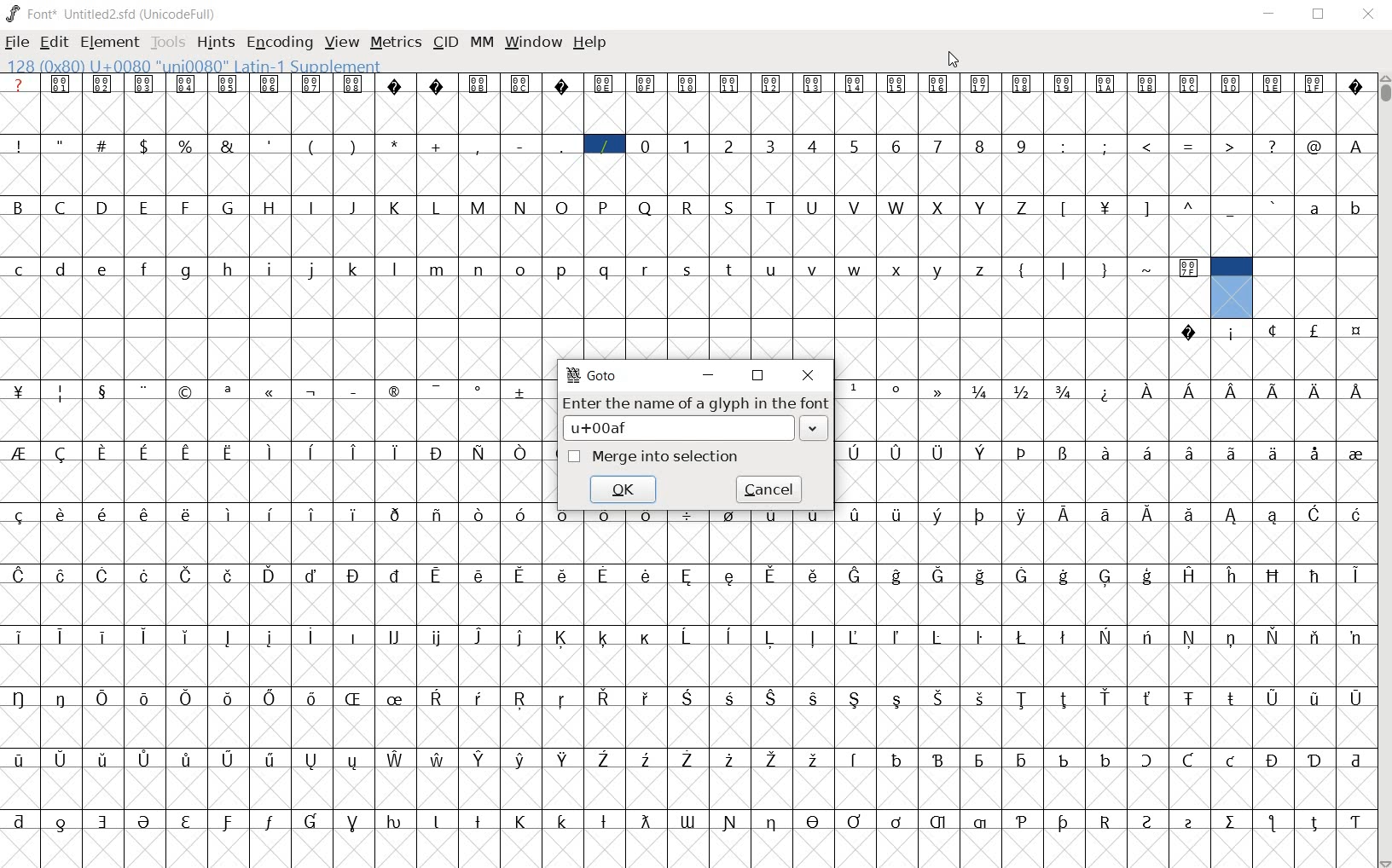 The width and height of the screenshot is (1392, 868). I want to click on Symbol, so click(980, 758).